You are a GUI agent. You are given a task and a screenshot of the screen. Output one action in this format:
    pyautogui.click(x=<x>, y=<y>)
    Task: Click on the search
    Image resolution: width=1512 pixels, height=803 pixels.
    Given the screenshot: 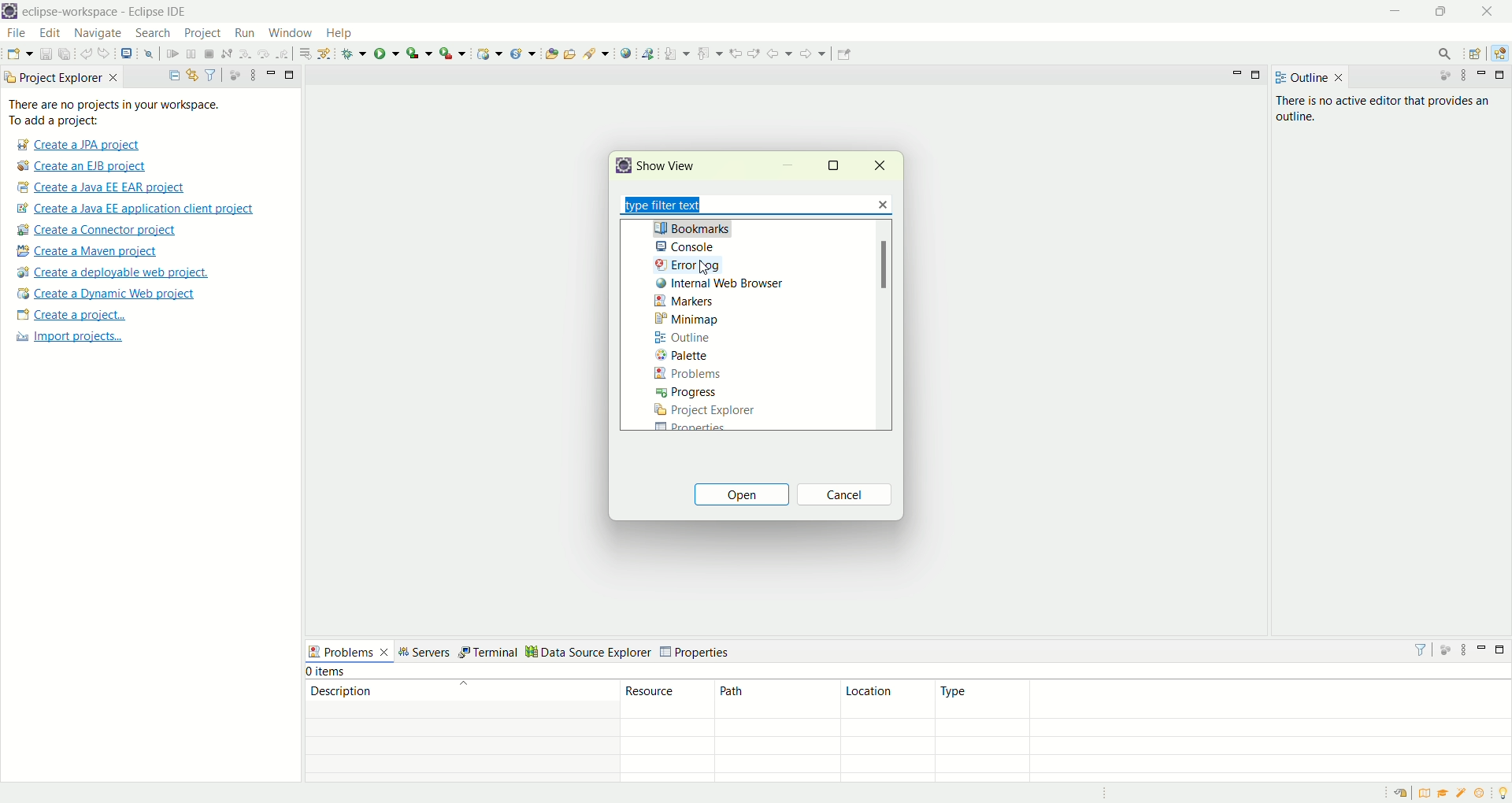 What is the action you would take?
    pyautogui.click(x=1440, y=52)
    